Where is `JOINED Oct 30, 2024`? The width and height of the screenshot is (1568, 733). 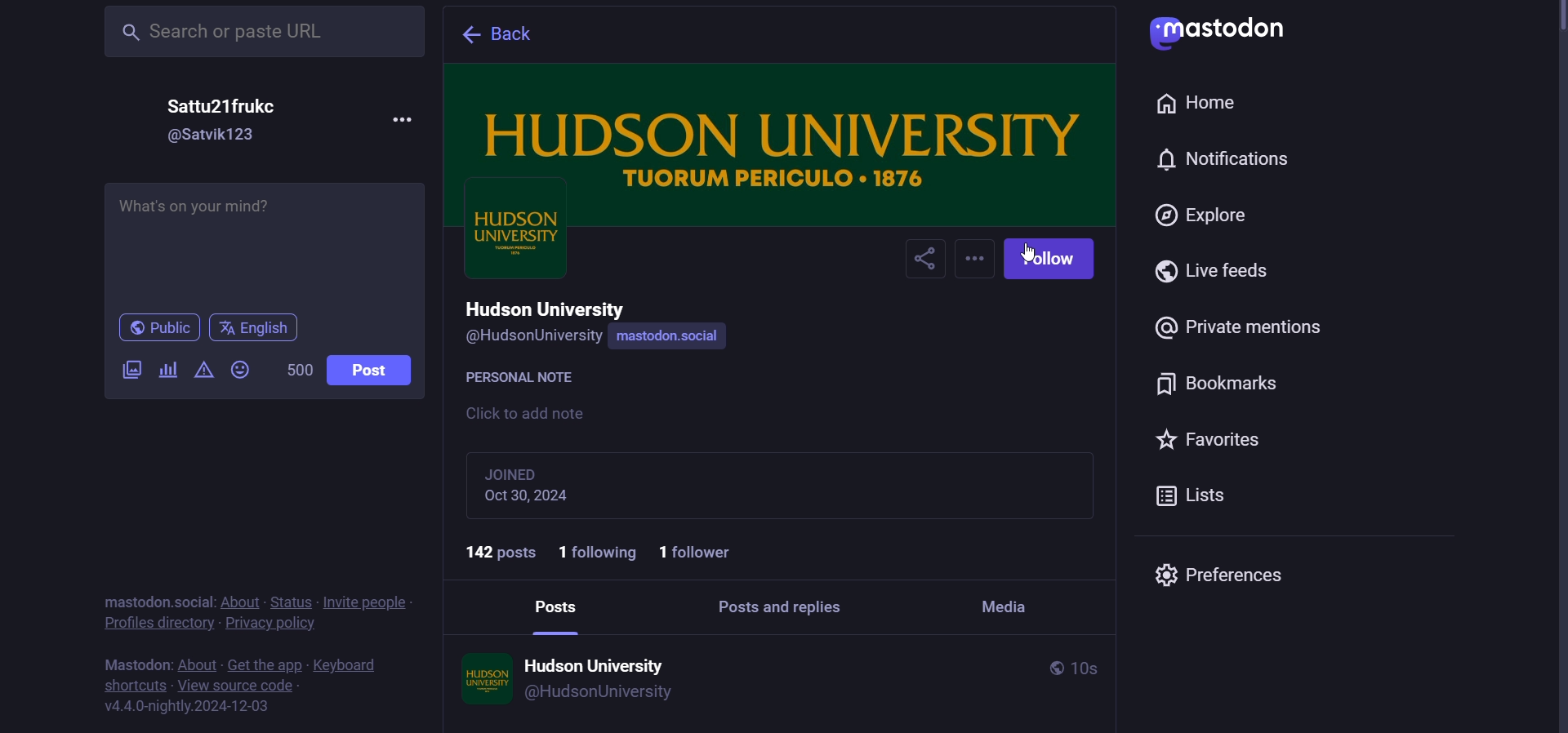
JOINED Oct 30, 2024 is located at coordinates (559, 484).